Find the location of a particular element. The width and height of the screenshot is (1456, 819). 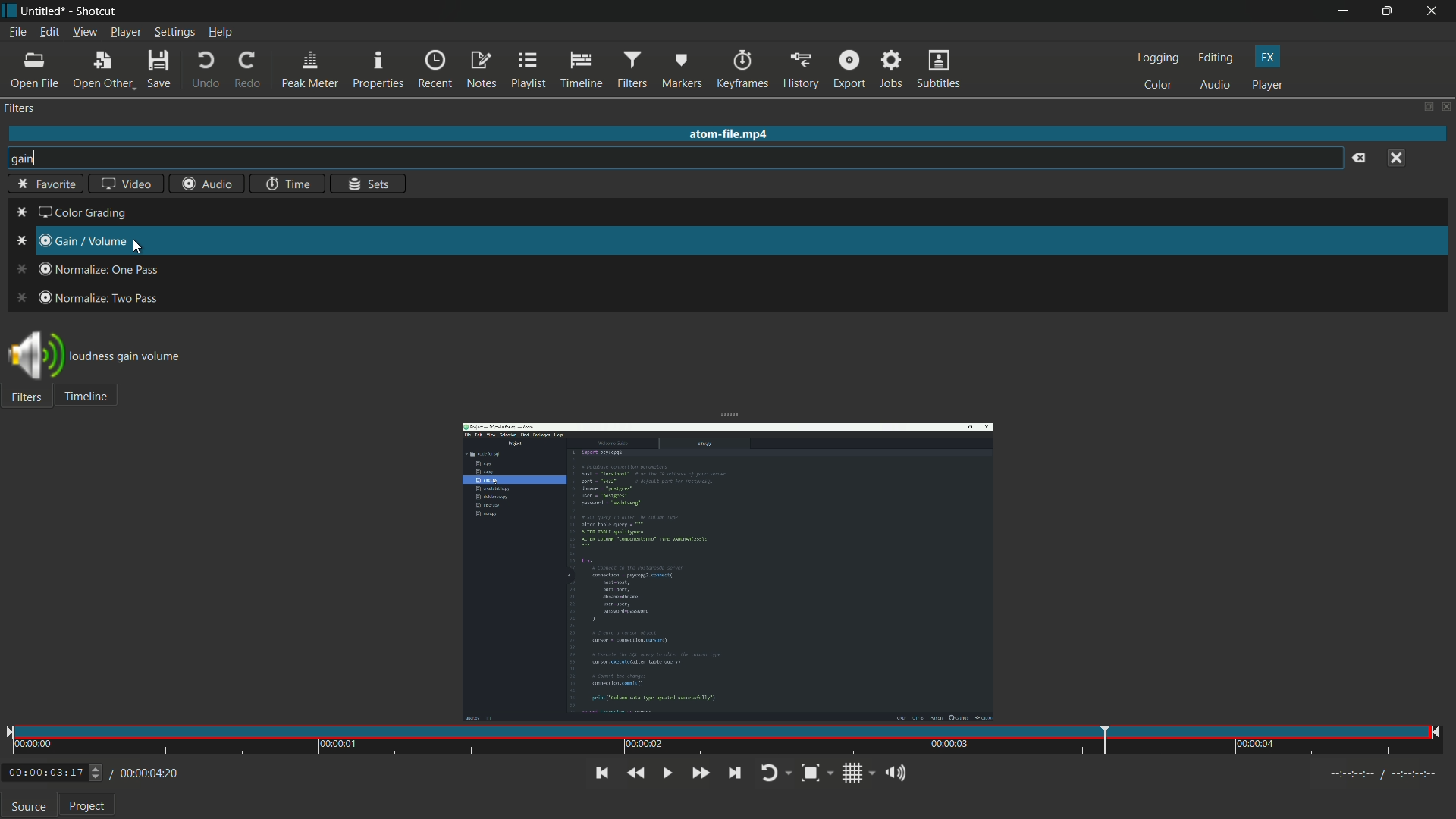

subtitles is located at coordinates (941, 71).